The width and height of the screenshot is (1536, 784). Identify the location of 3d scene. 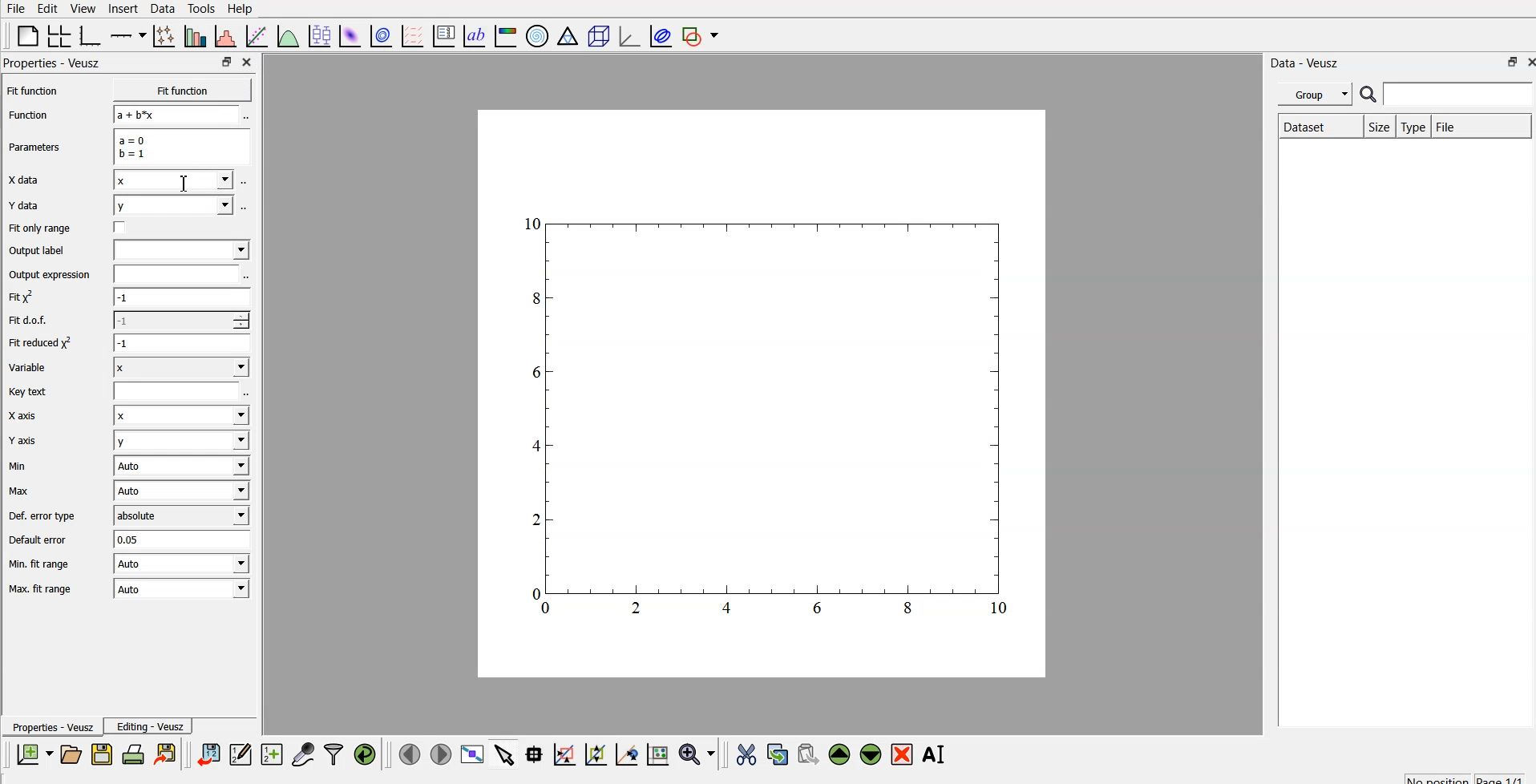
(599, 38).